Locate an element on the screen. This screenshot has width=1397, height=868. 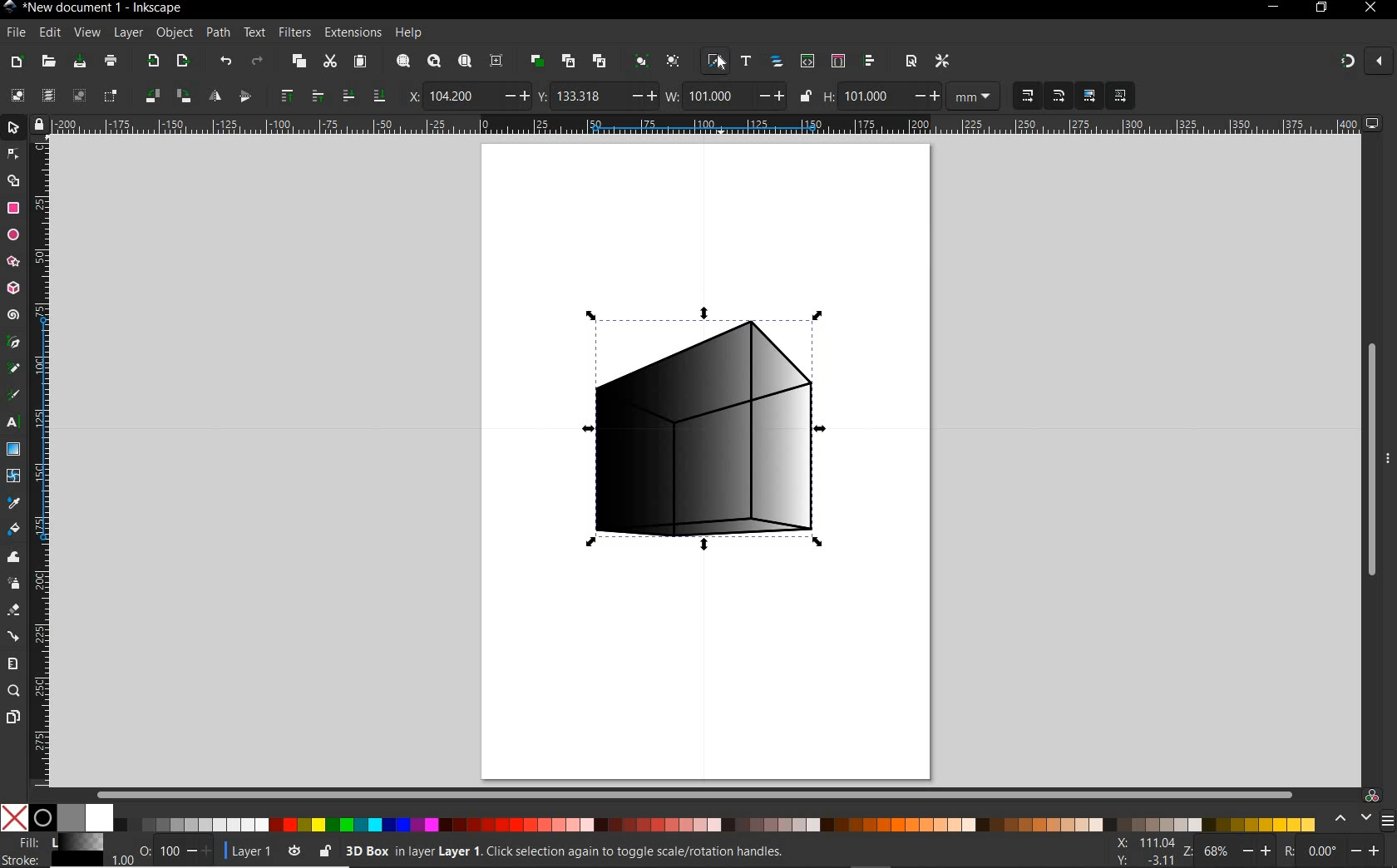
MOVE GRADIENTS is located at coordinates (1090, 94).